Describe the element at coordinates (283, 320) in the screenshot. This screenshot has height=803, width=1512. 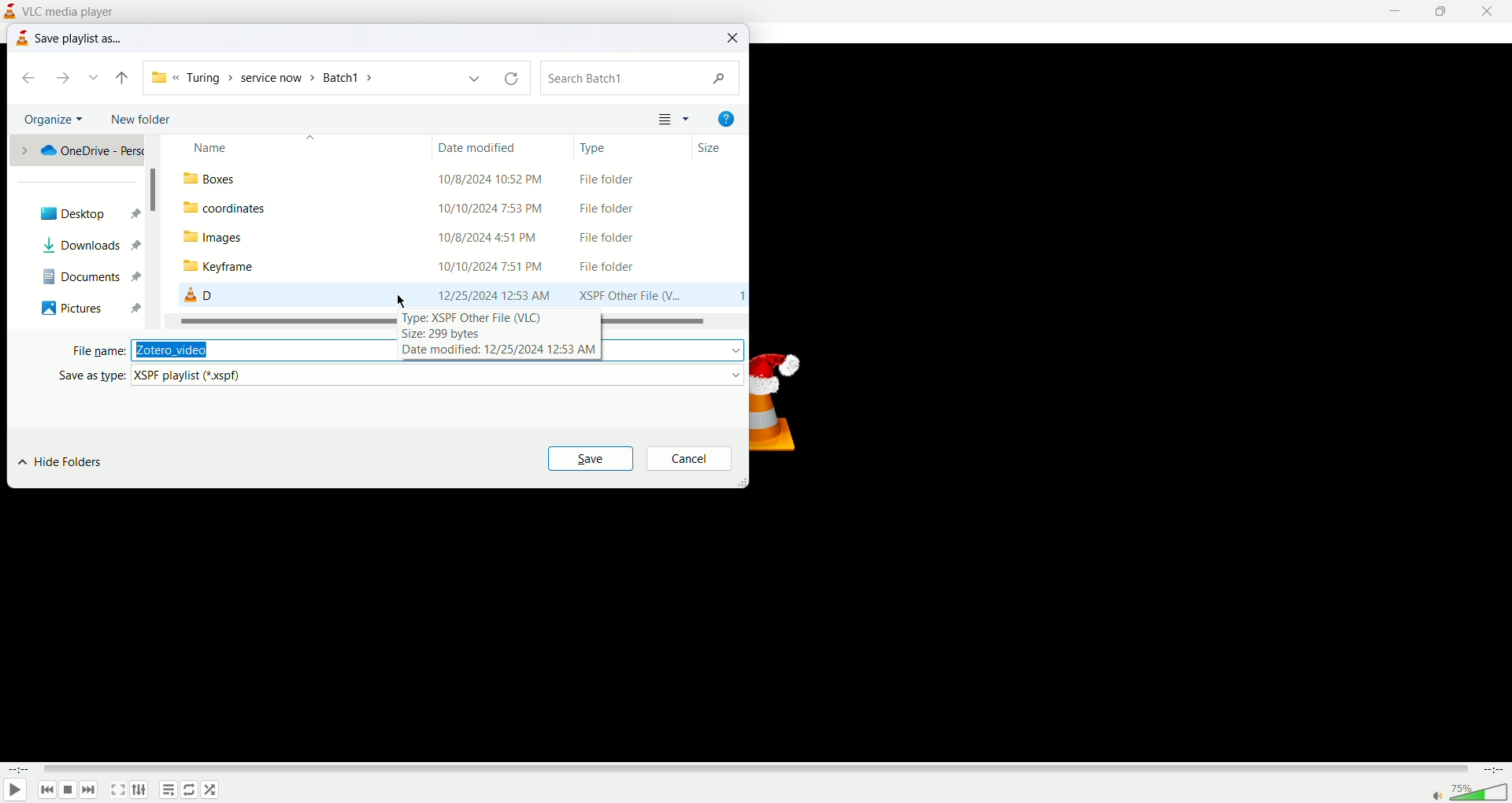
I see `horizontal scroll bar` at that location.